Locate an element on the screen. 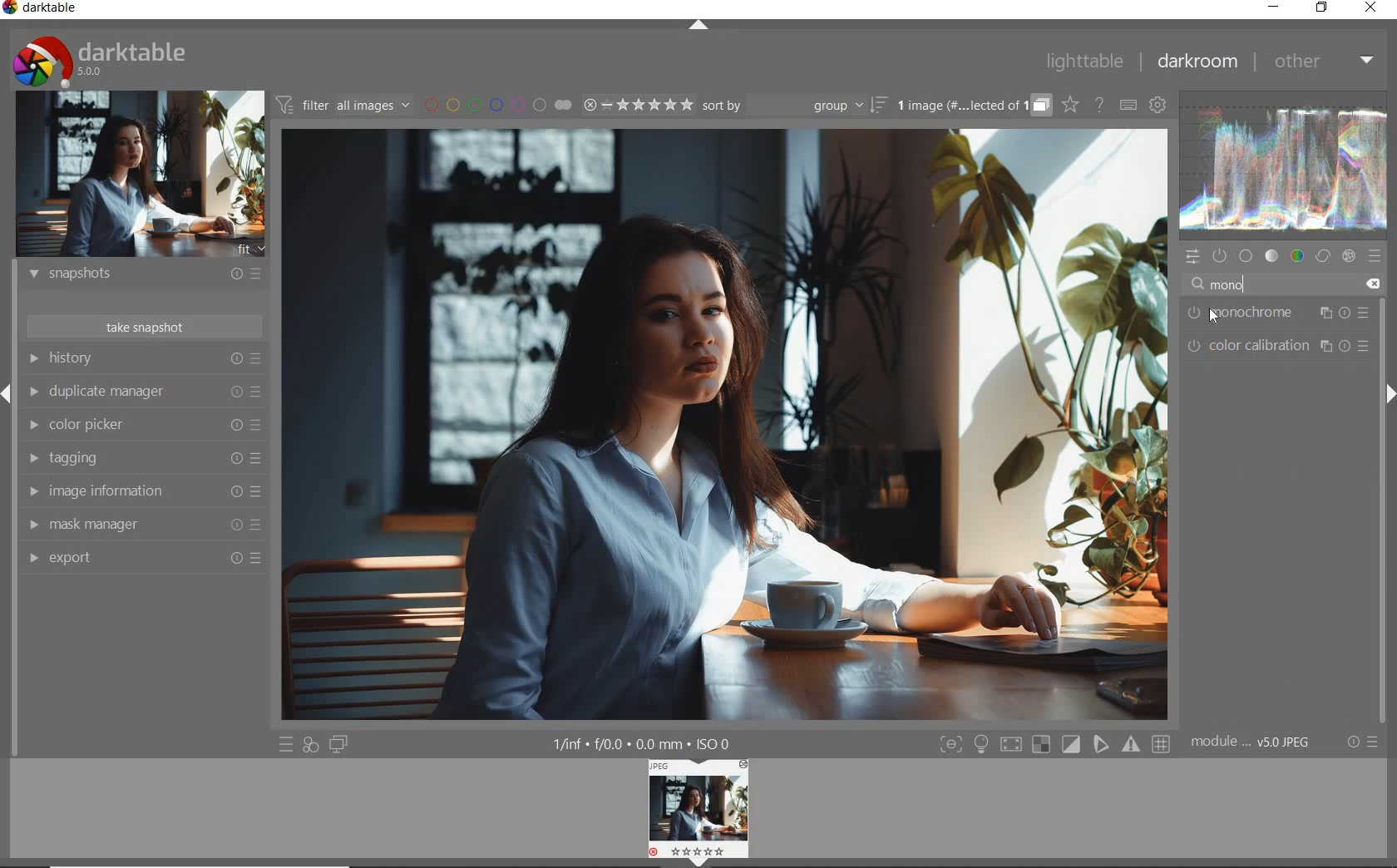 This screenshot has height=868, width=1397. quick access for applying any of your styles is located at coordinates (310, 745).